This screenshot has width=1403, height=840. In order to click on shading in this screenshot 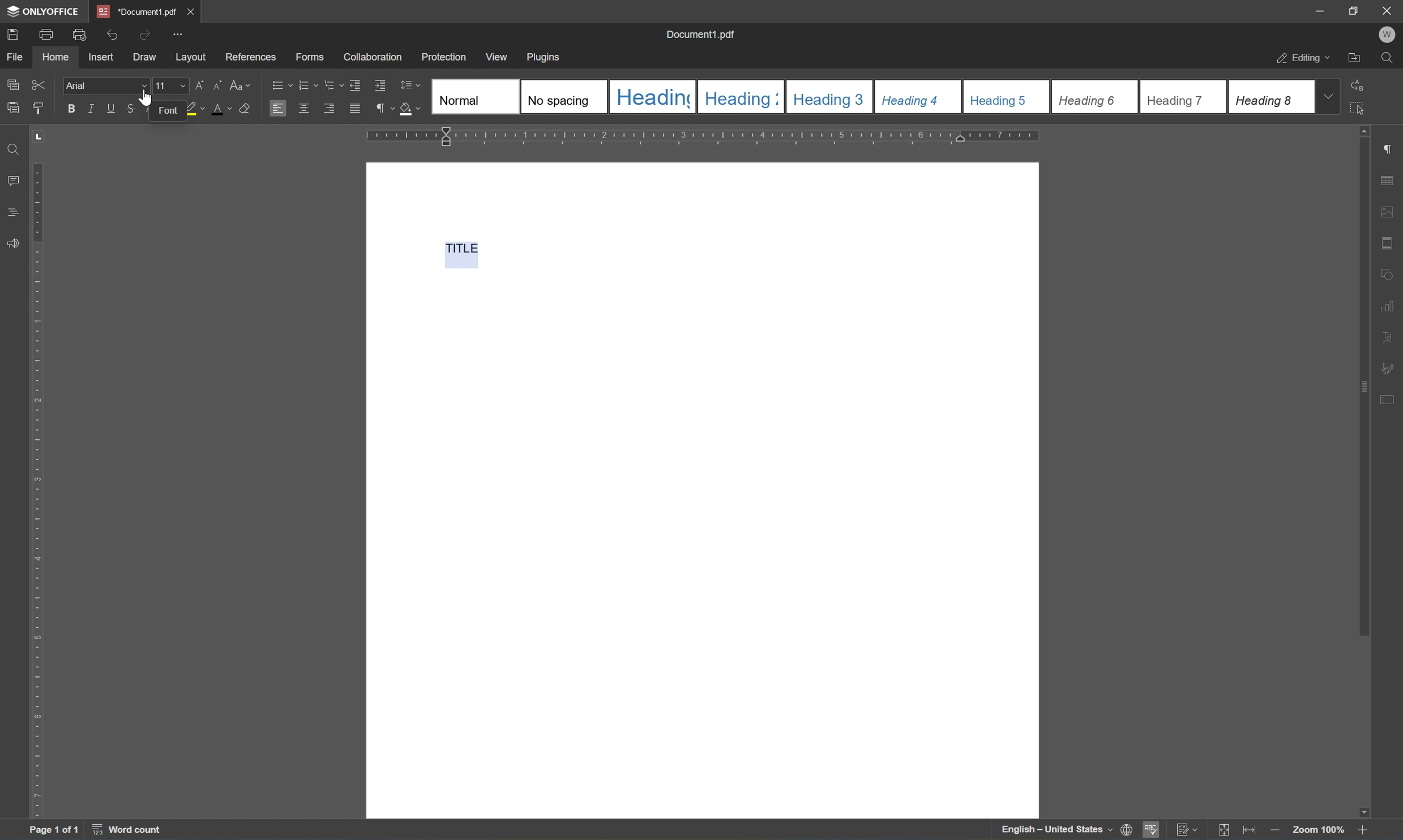, I will do `click(412, 109)`.